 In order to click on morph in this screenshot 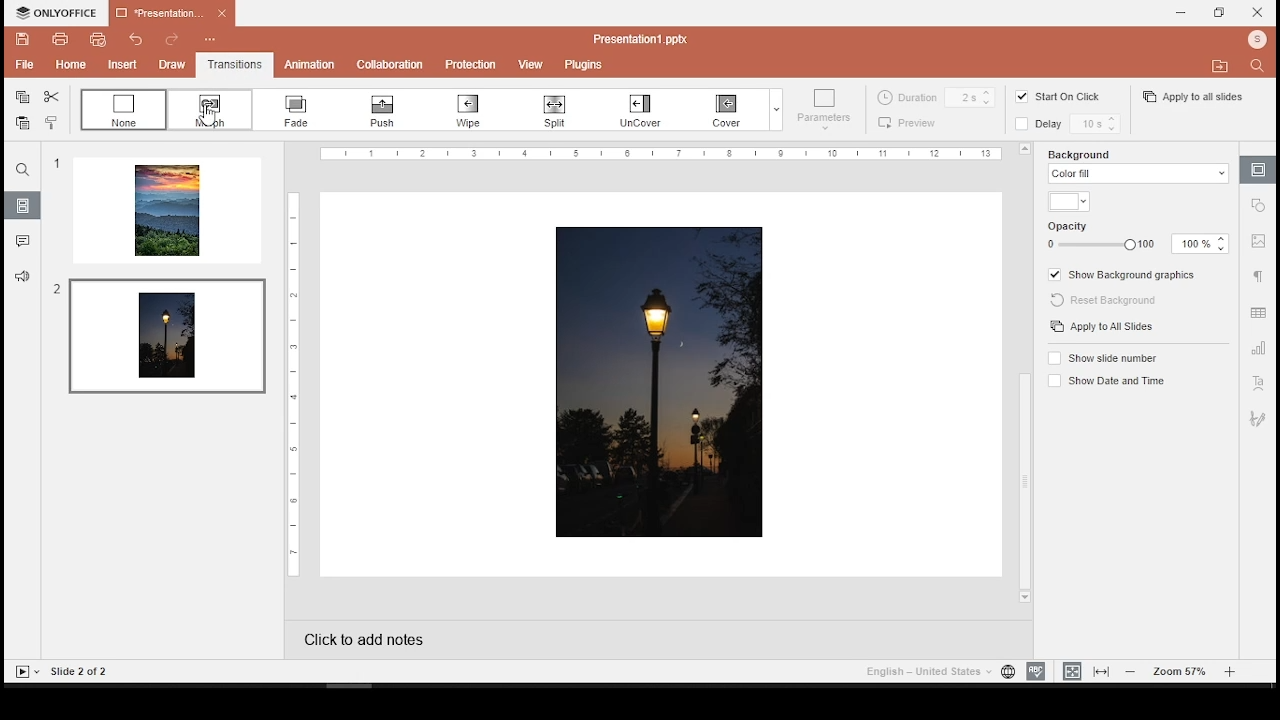, I will do `click(207, 111)`.